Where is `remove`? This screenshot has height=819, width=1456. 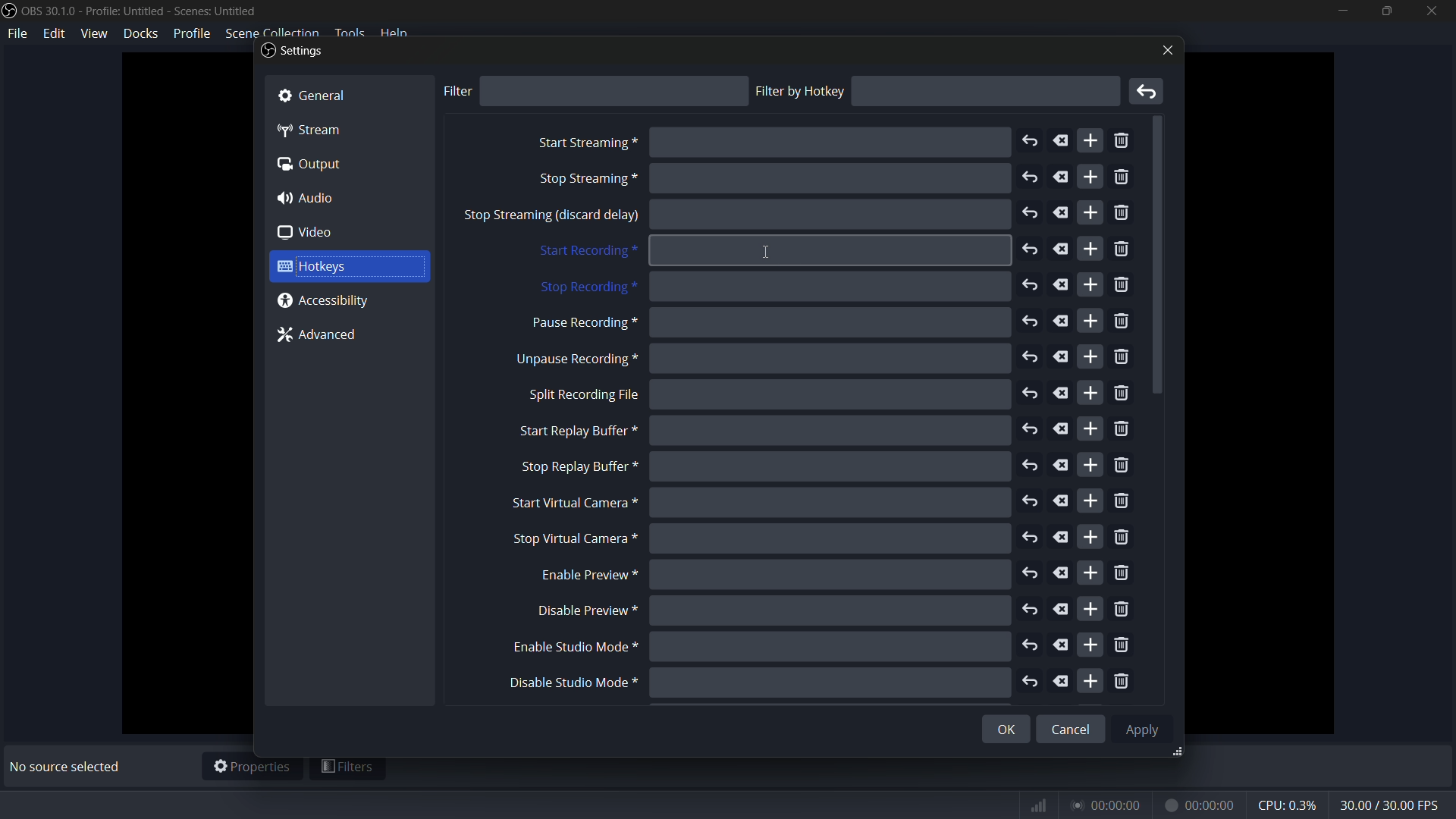
remove is located at coordinates (1123, 466).